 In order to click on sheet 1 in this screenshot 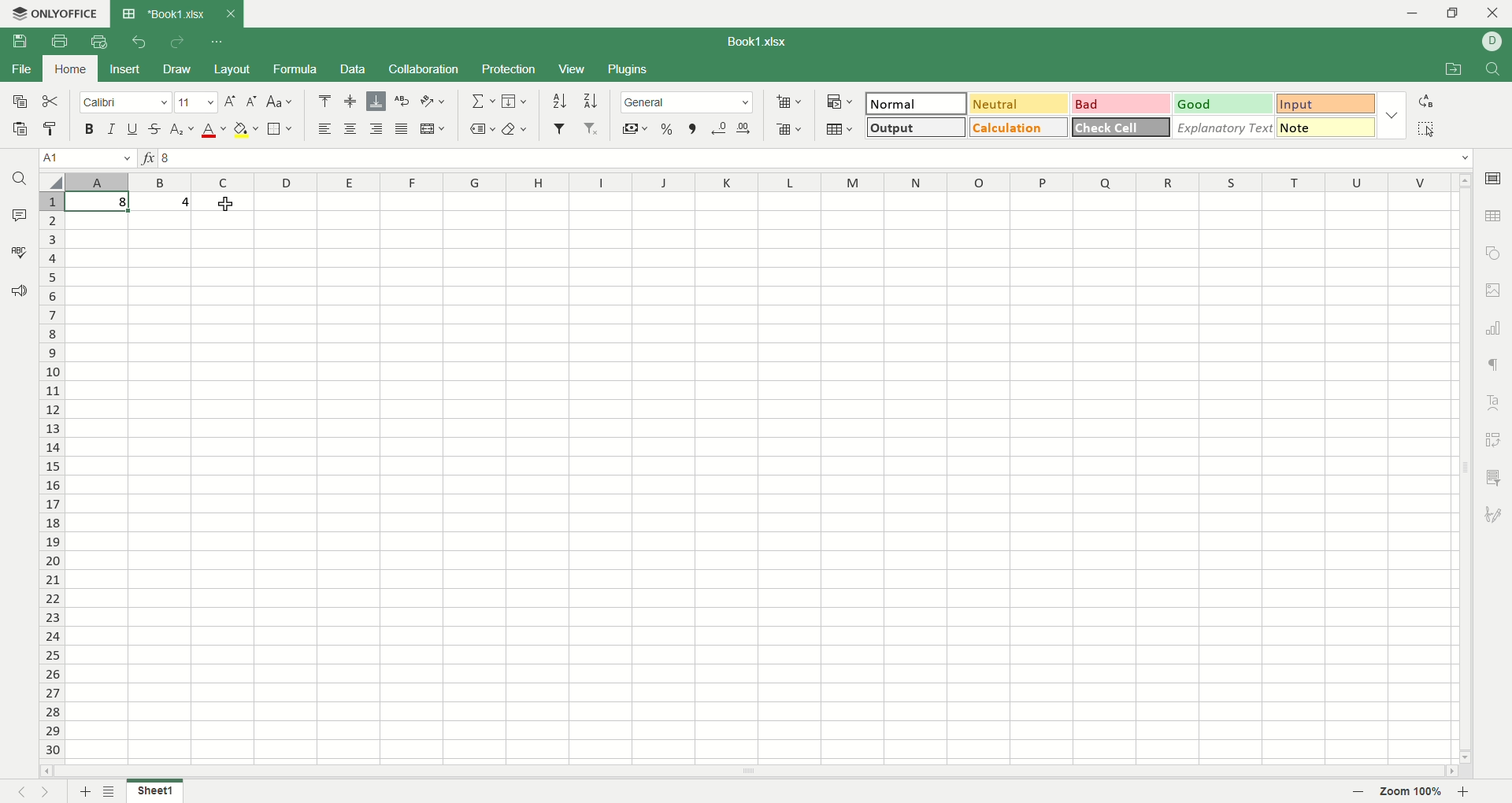, I will do `click(155, 790)`.